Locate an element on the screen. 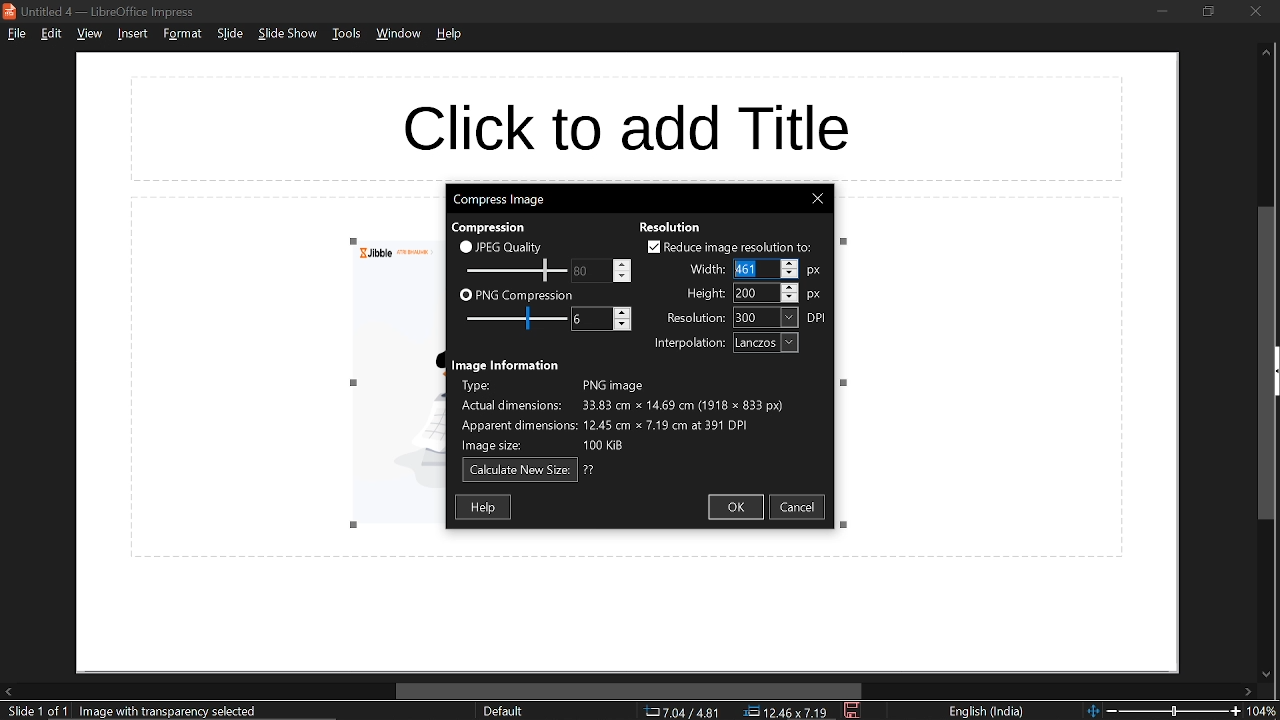  close is located at coordinates (1257, 11).